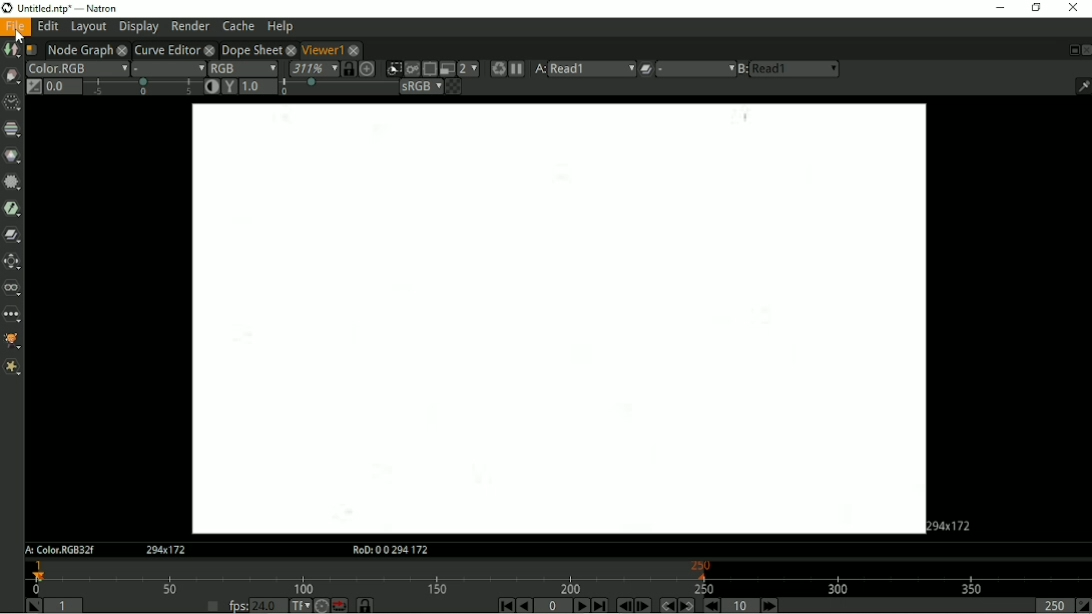  Describe the element at coordinates (624, 606) in the screenshot. I see `Previous frame` at that location.